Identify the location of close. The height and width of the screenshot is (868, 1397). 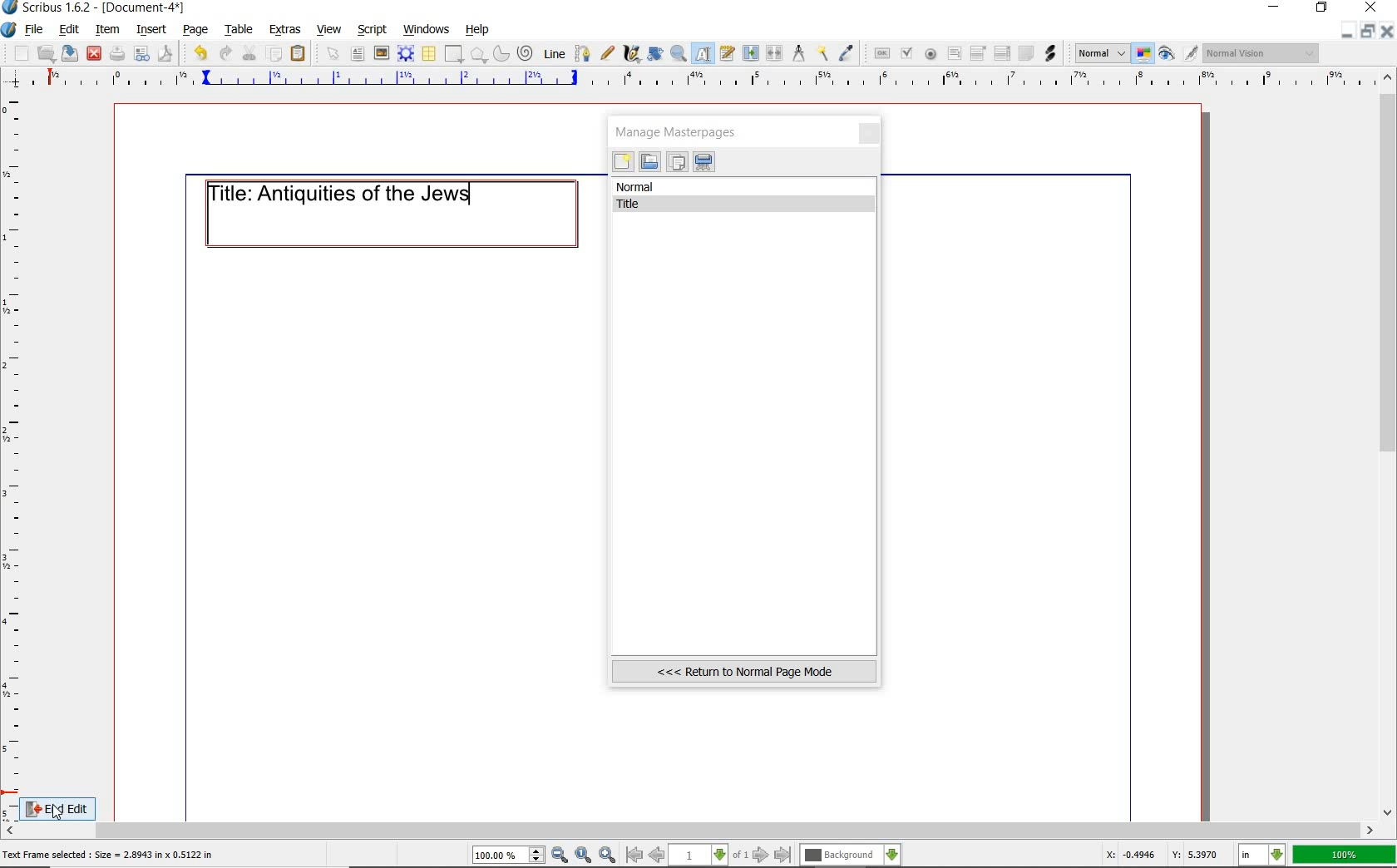
(871, 135).